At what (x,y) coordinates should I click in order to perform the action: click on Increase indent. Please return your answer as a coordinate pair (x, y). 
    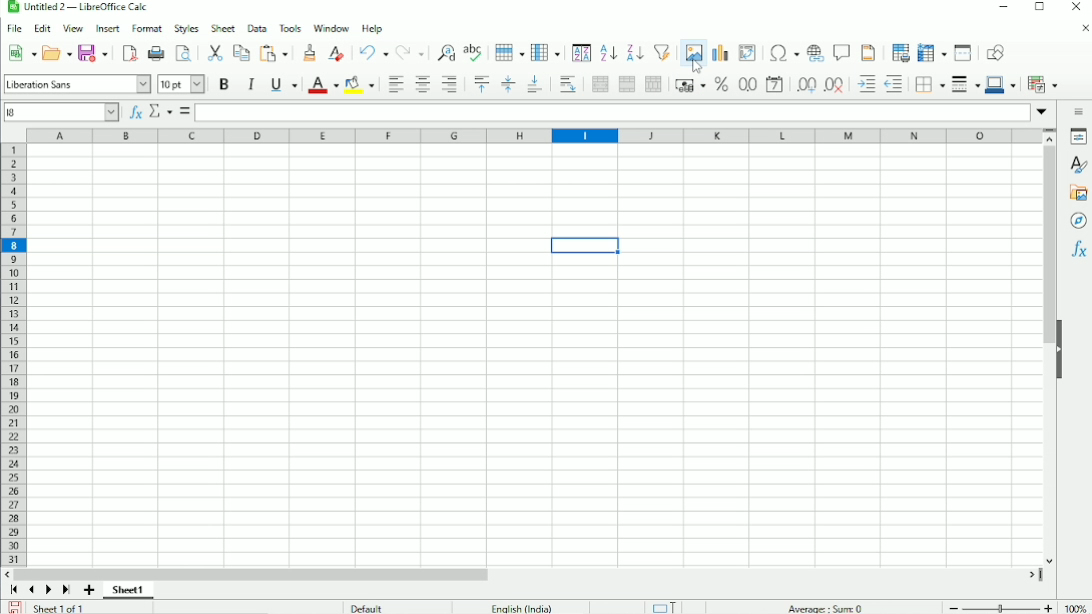
    Looking at the image, I should click on (862, 85).